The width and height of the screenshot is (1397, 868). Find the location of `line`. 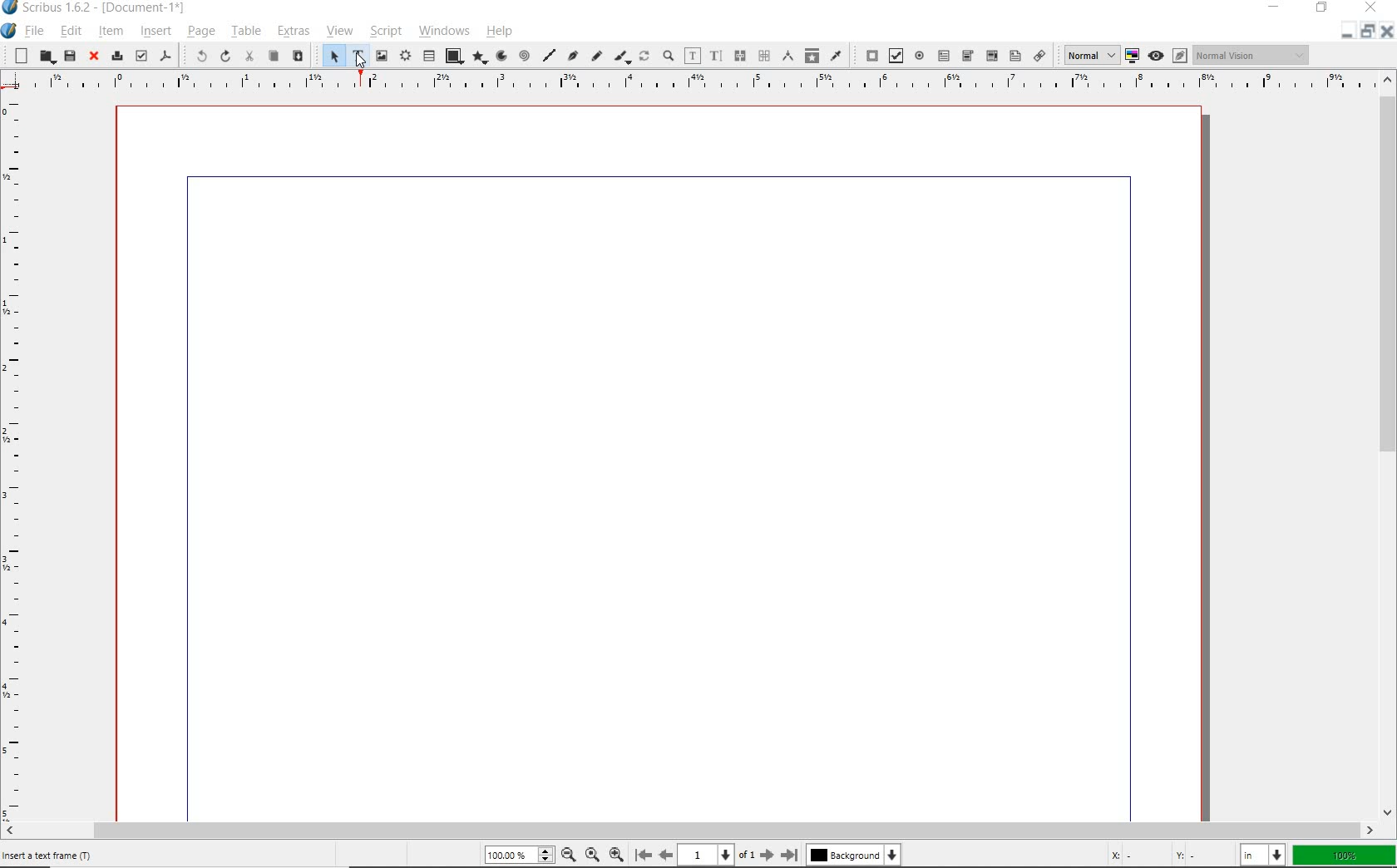

line is located at coordinates (549, 54).